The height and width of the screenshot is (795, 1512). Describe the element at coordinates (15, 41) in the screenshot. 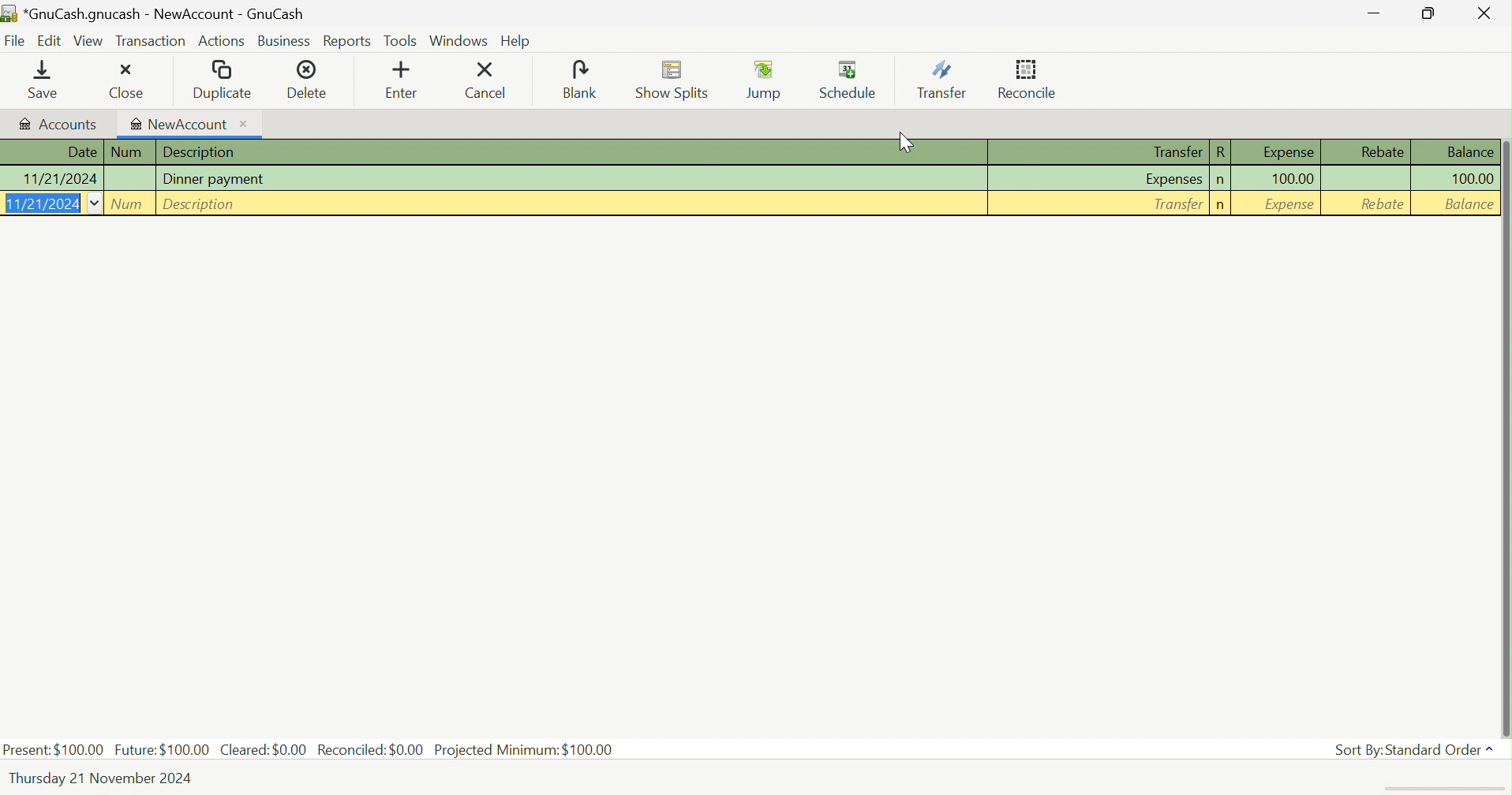

I see `File` at that location.